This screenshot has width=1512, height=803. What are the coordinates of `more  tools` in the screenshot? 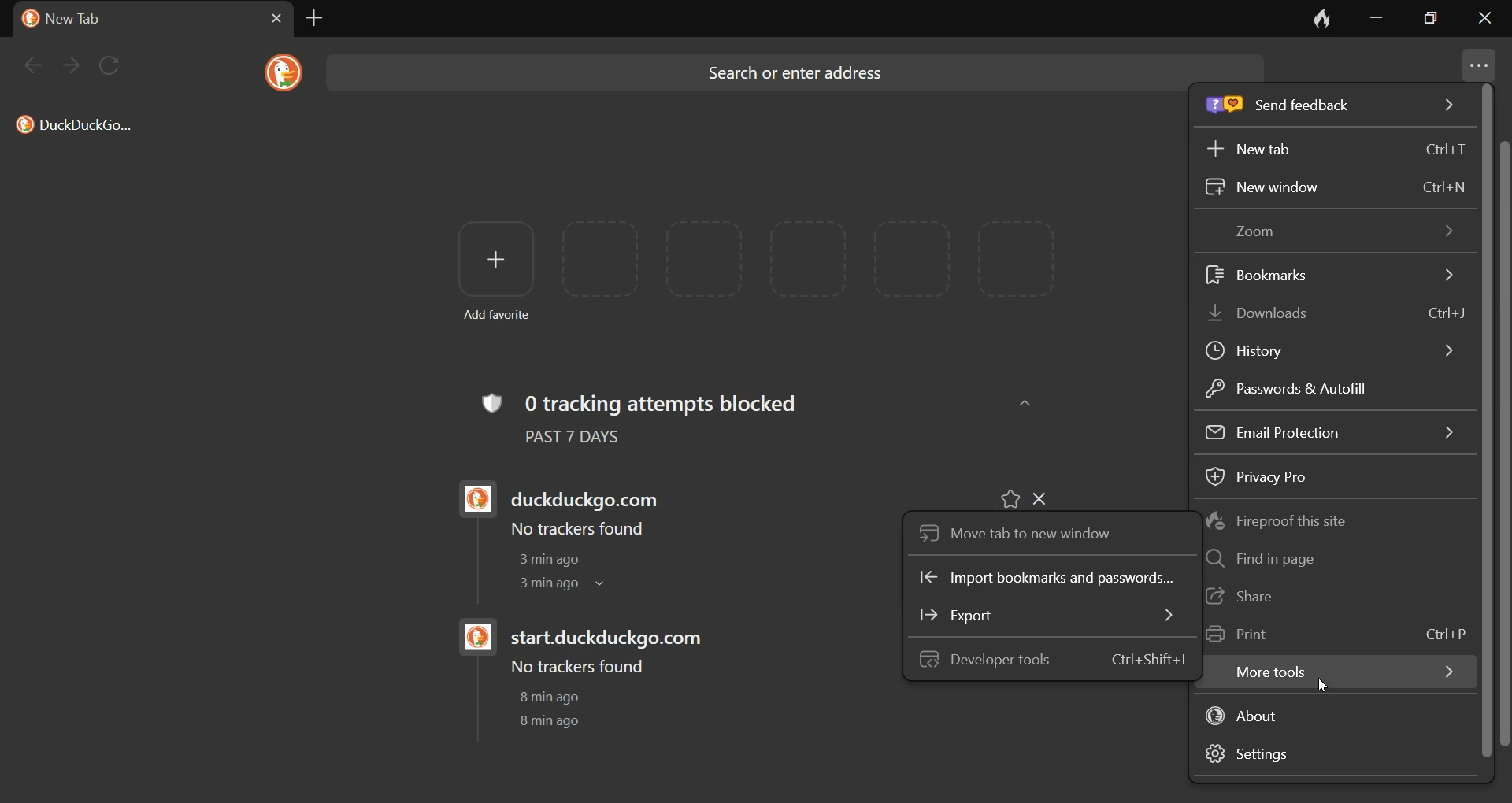 It's located at (1332, 672).